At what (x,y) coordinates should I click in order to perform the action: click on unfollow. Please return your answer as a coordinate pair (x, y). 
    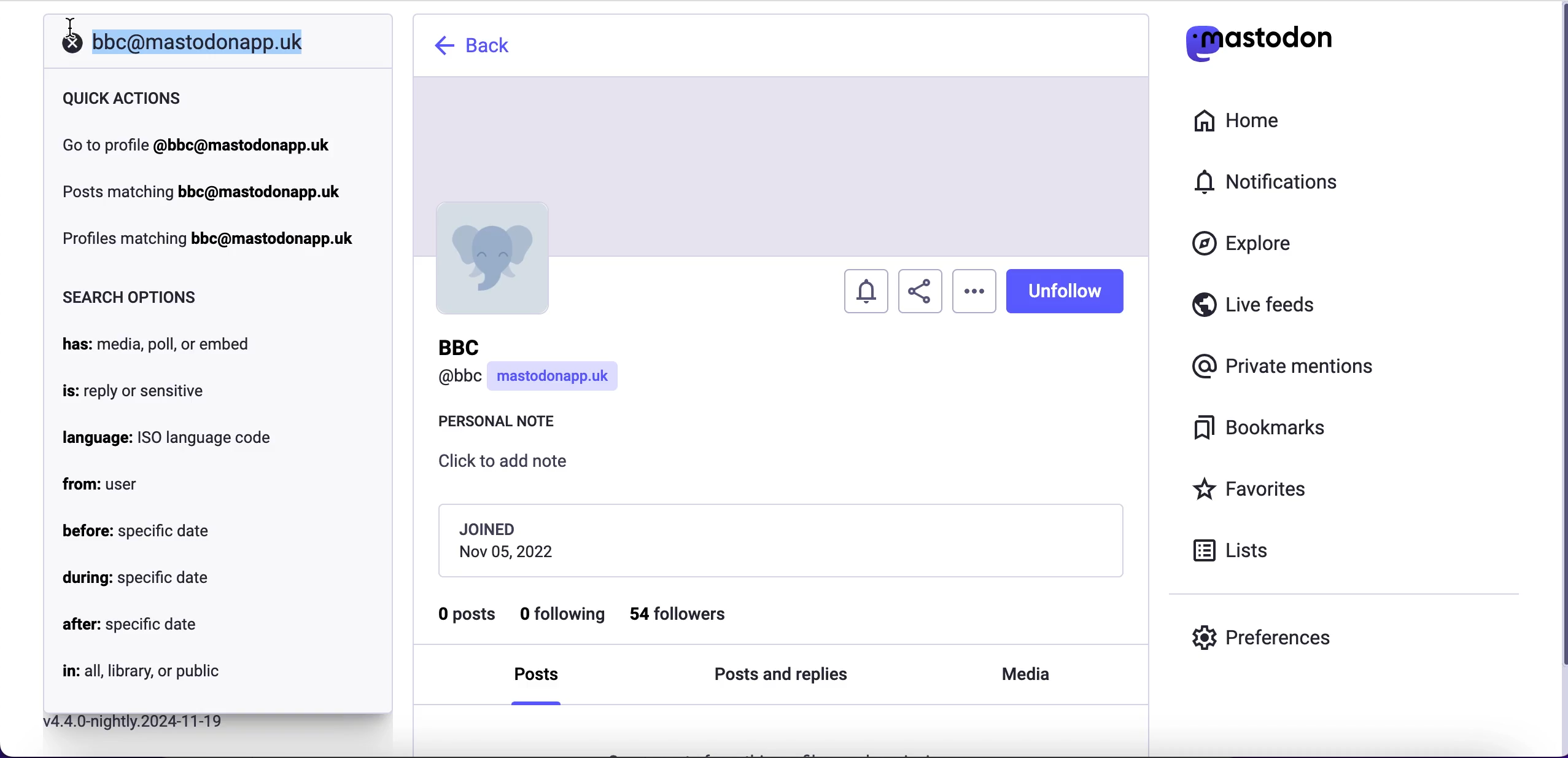
    Looking at the image, I should click on (1065, 290).